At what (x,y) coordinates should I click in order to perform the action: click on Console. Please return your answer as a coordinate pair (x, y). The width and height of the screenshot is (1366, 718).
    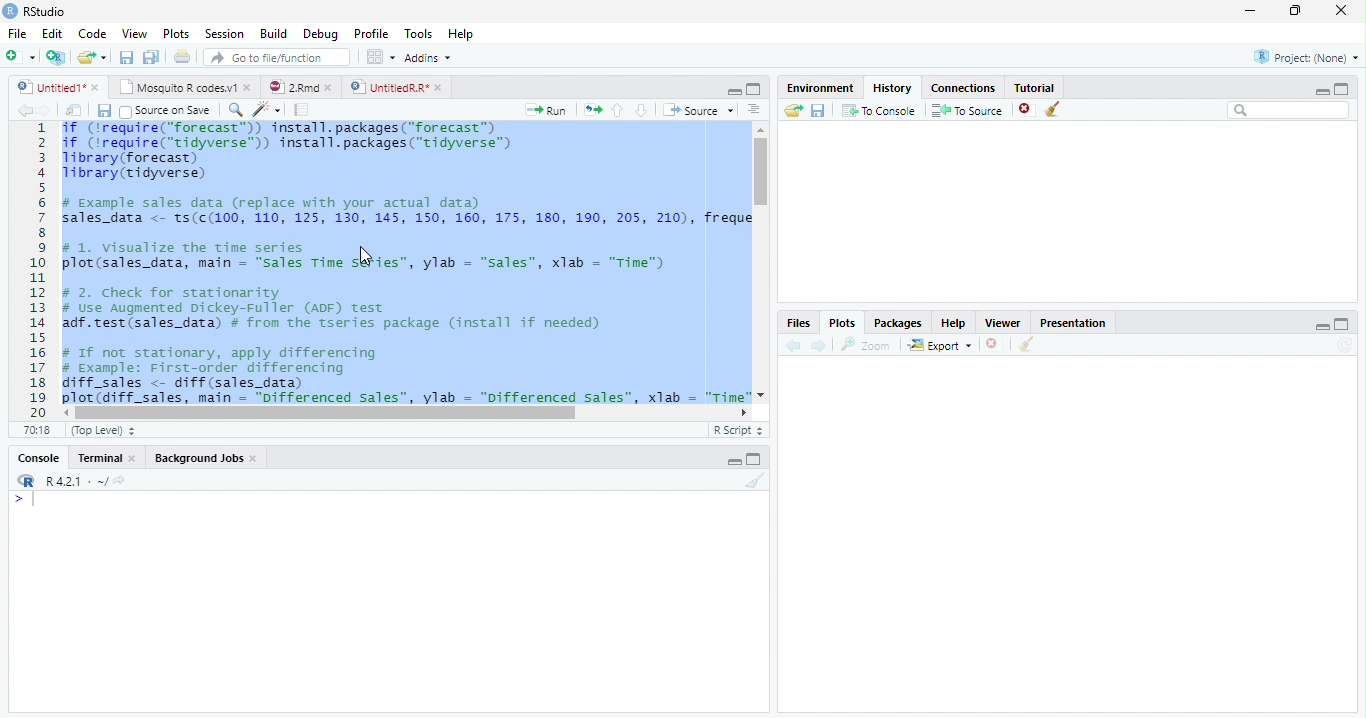
    Looking at the image, I should click on (40, 457).